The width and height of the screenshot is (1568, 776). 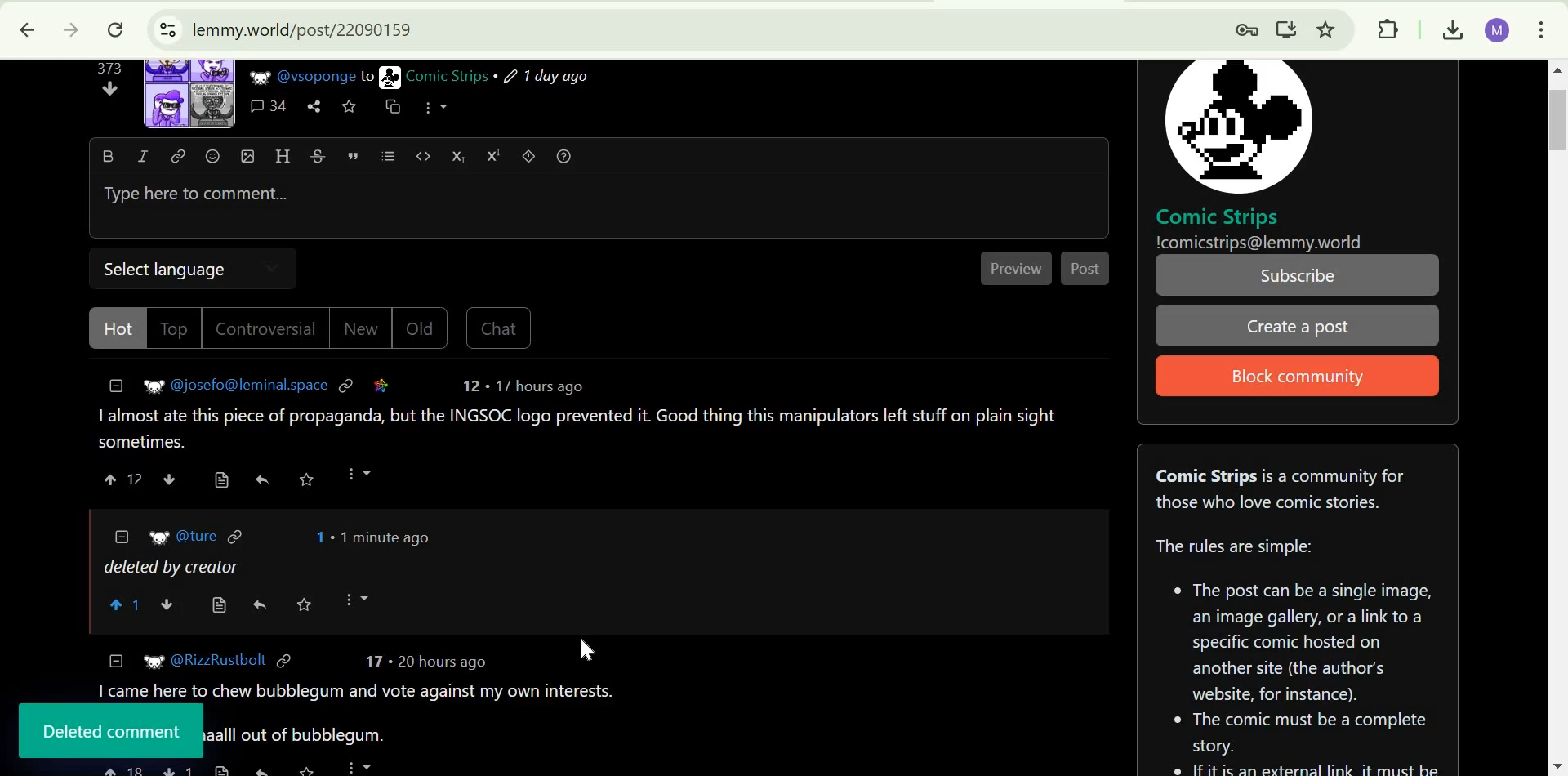 What do you see at coordinates (178, 768) in the screenshot?
I see `downvote` at bounding box center [178, 768].